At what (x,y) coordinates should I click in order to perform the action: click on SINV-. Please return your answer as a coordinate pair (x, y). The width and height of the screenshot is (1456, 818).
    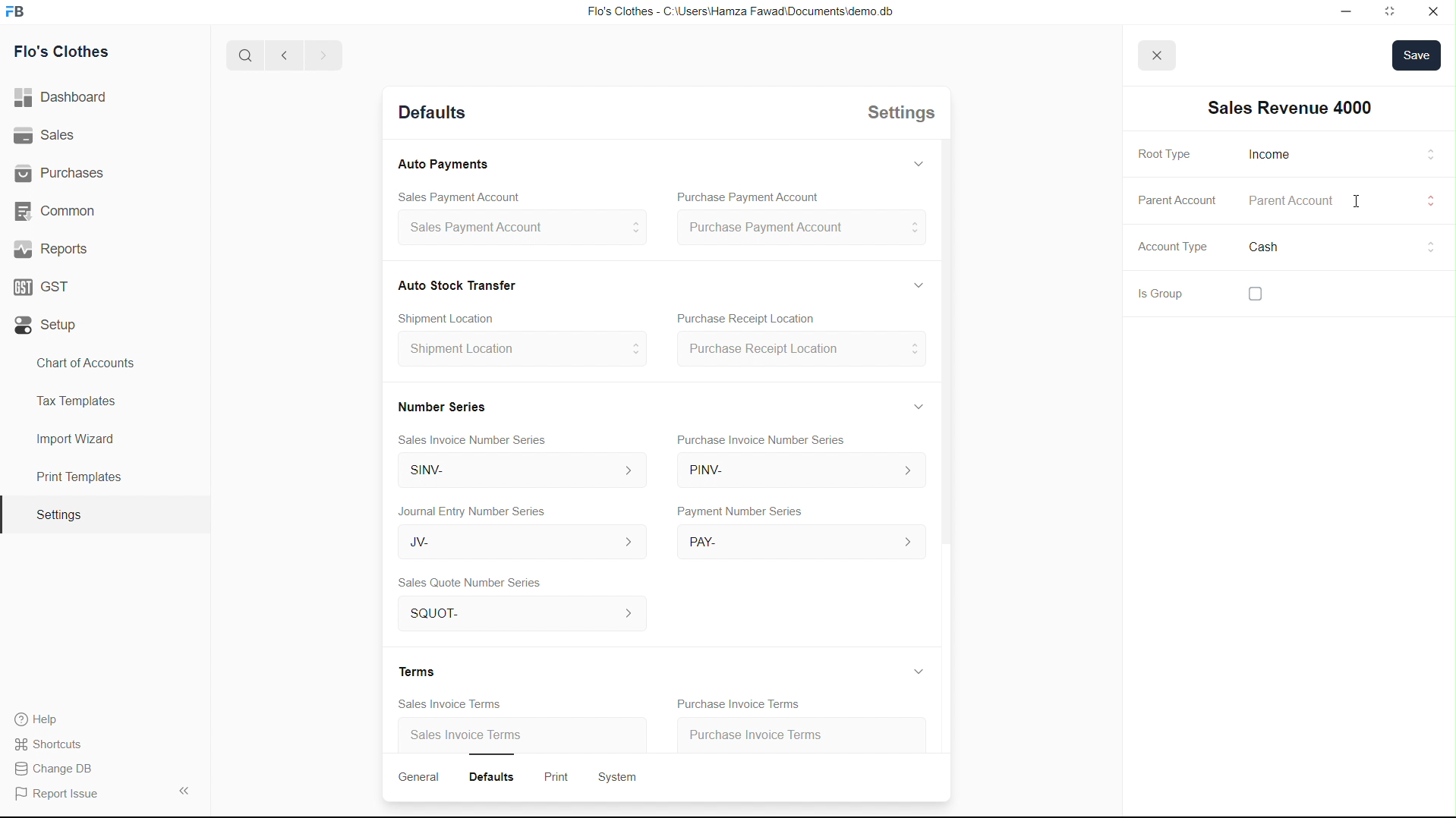
    Looking at the image, I should click on (515, 472).